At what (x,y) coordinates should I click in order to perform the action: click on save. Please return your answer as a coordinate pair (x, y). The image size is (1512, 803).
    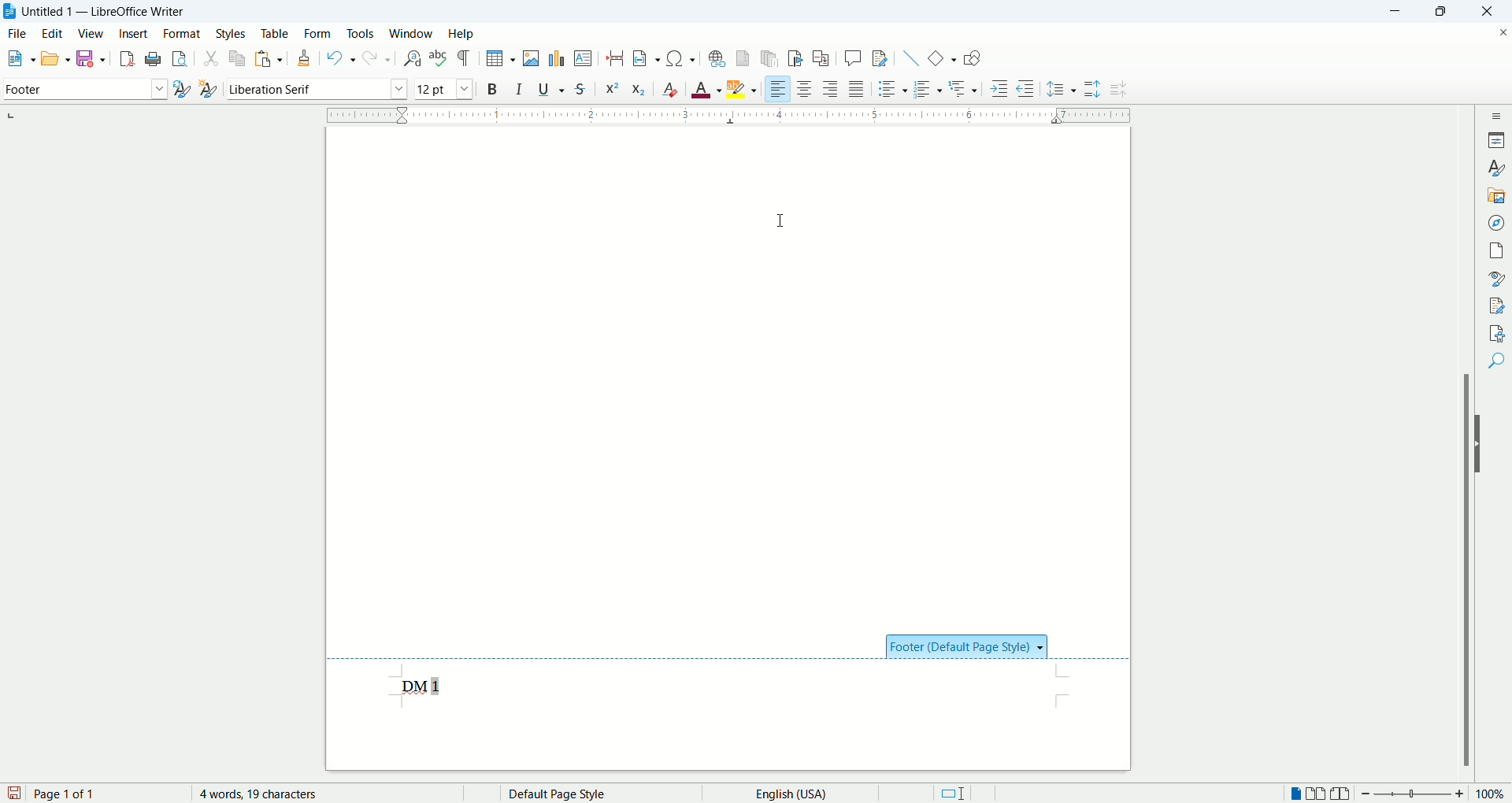
    Looking at the image, I should click on (14, 792).